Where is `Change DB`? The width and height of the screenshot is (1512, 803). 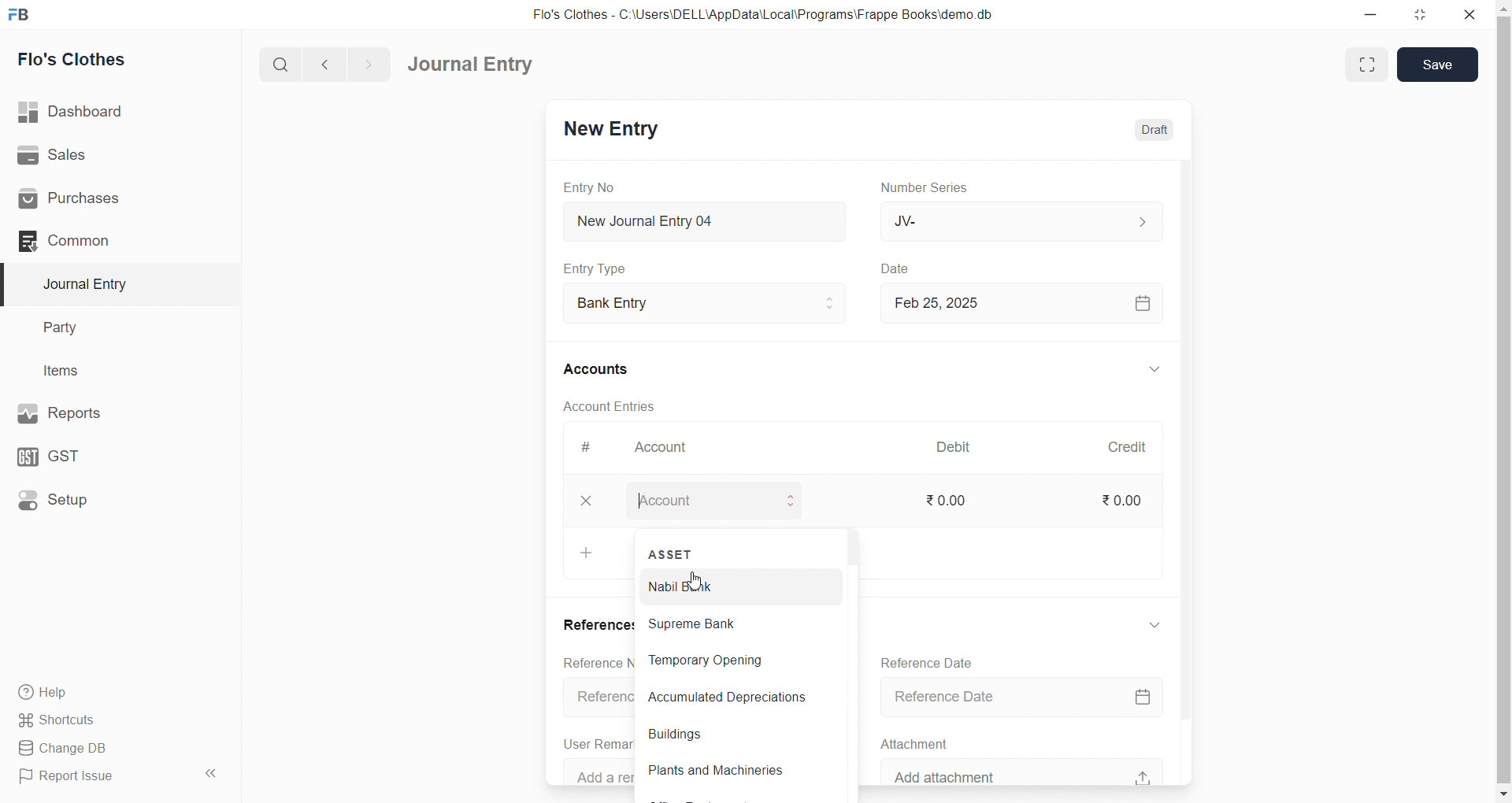
Change DB is located at coordinates (113, 749).